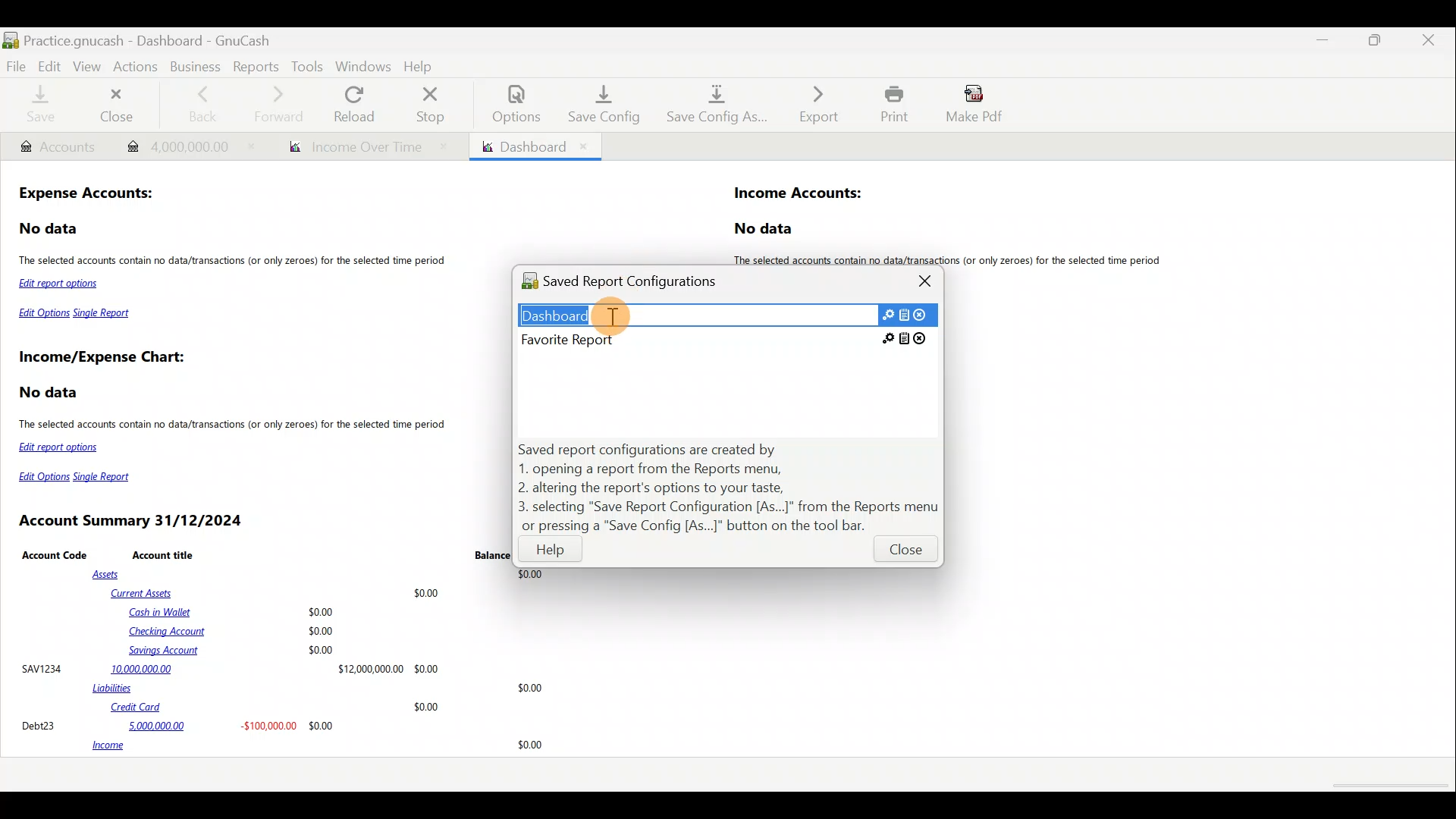 The image size is (1456, 819). What do you see at coordinates (17, 65) in the screenshot?
I see `File` at bounding box center [17, 65].